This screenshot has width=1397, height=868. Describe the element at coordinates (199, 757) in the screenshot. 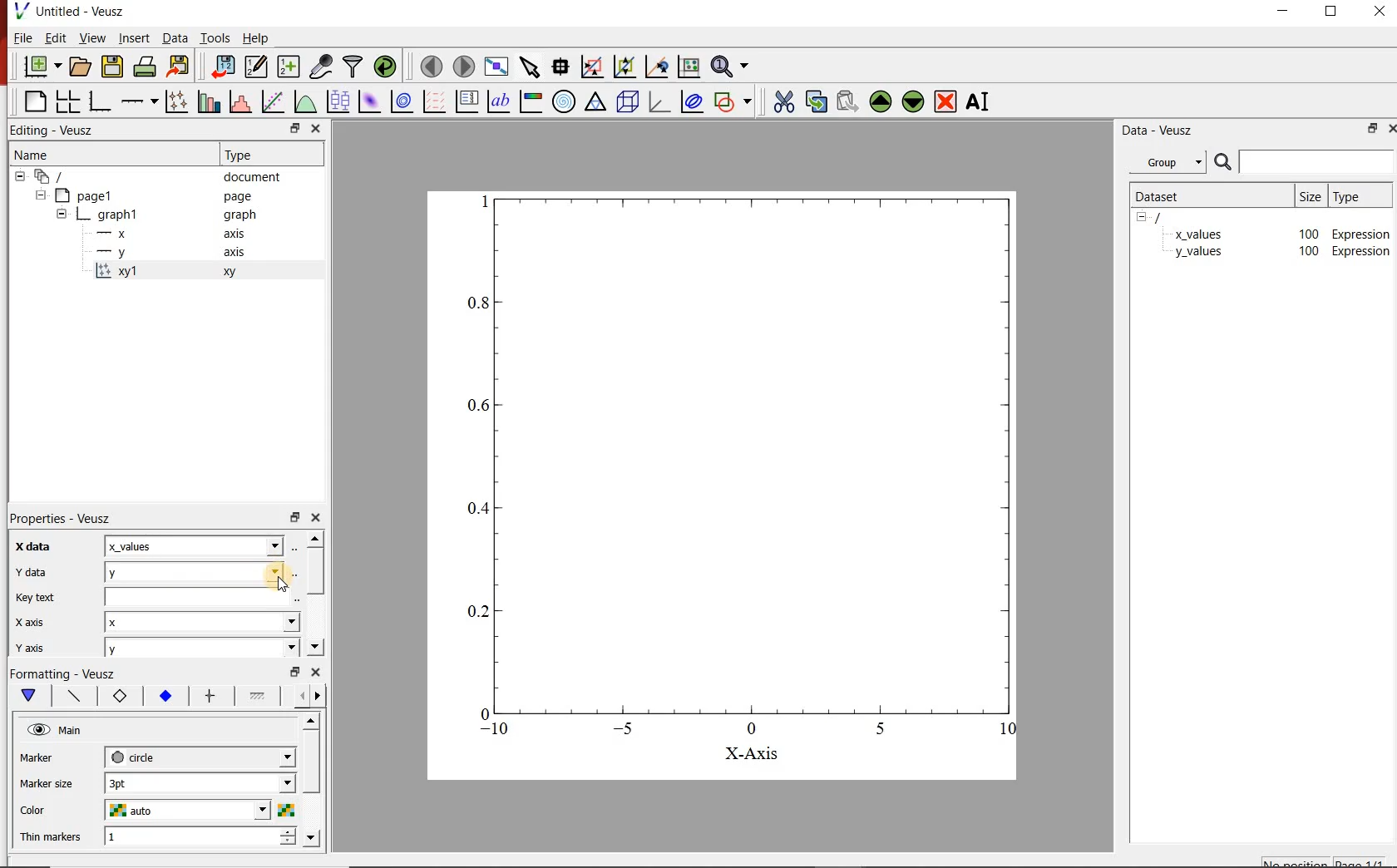

I see `circle` at that location.